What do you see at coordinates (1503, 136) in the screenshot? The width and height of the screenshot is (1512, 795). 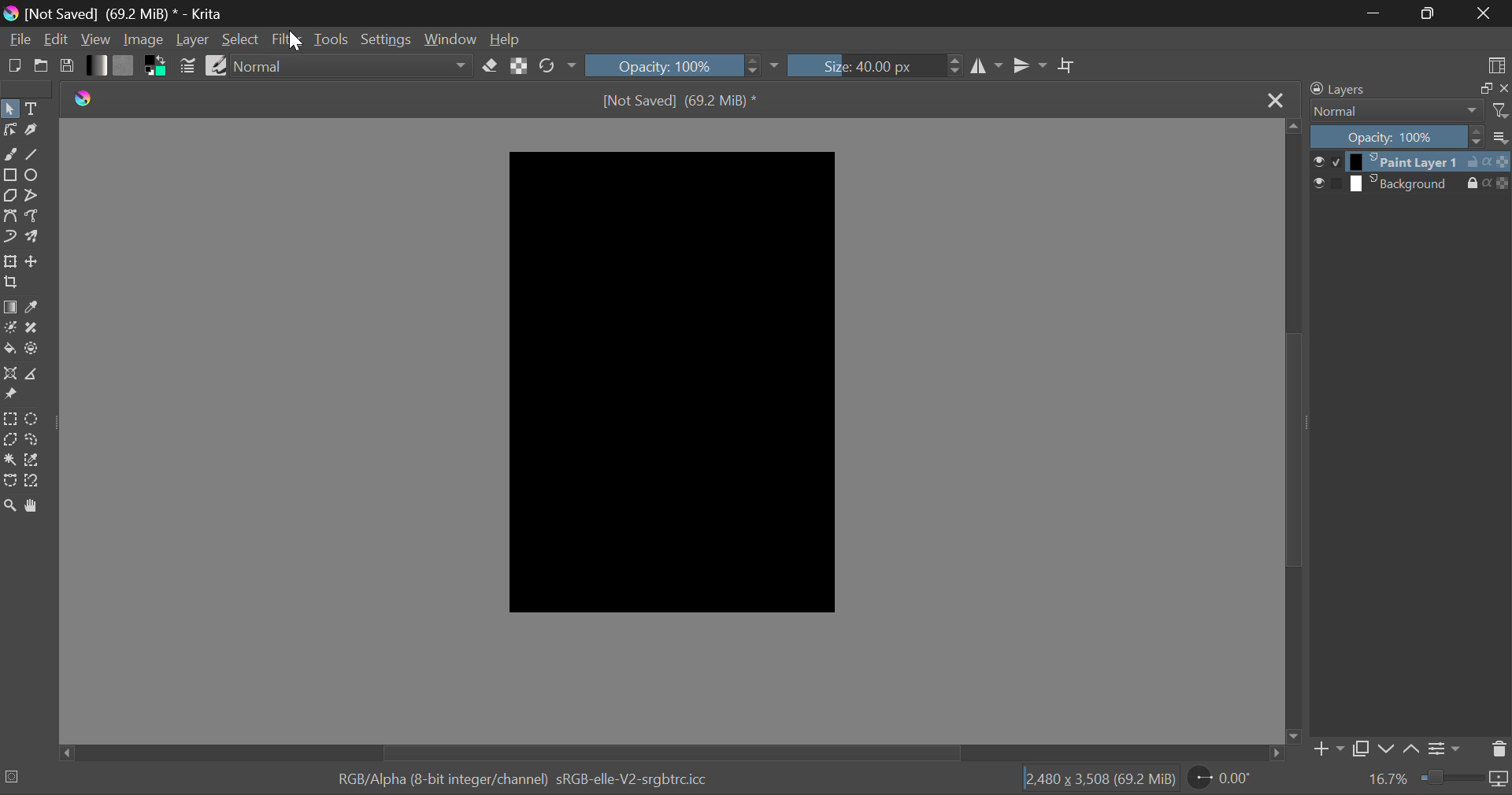 I see `options` at bounding box center [1503, 136].